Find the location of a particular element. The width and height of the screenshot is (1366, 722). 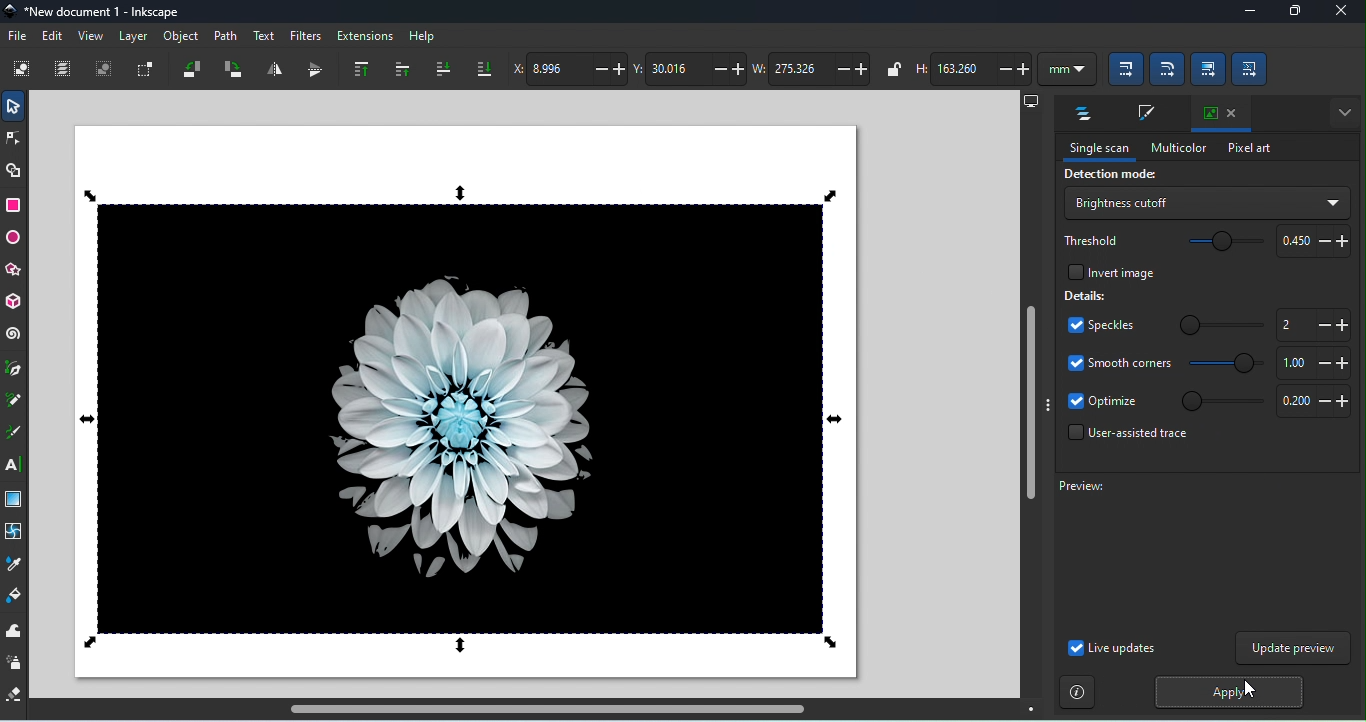

When scaling rectangles, scale the radii of the rounded corners is located at coordinates (1167, 70).